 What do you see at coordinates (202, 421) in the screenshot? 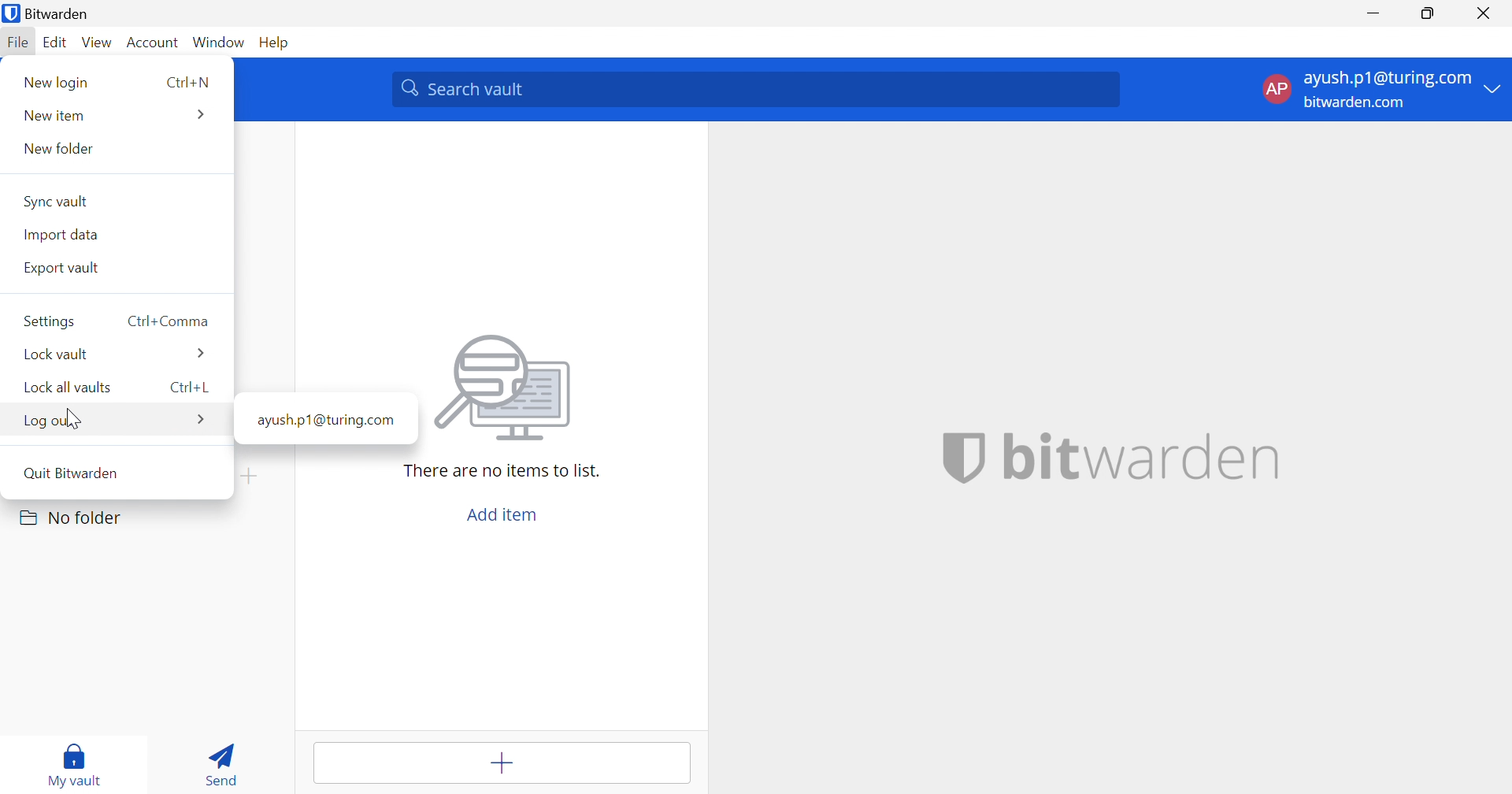
I see `More` at bounding box center [202, 421].